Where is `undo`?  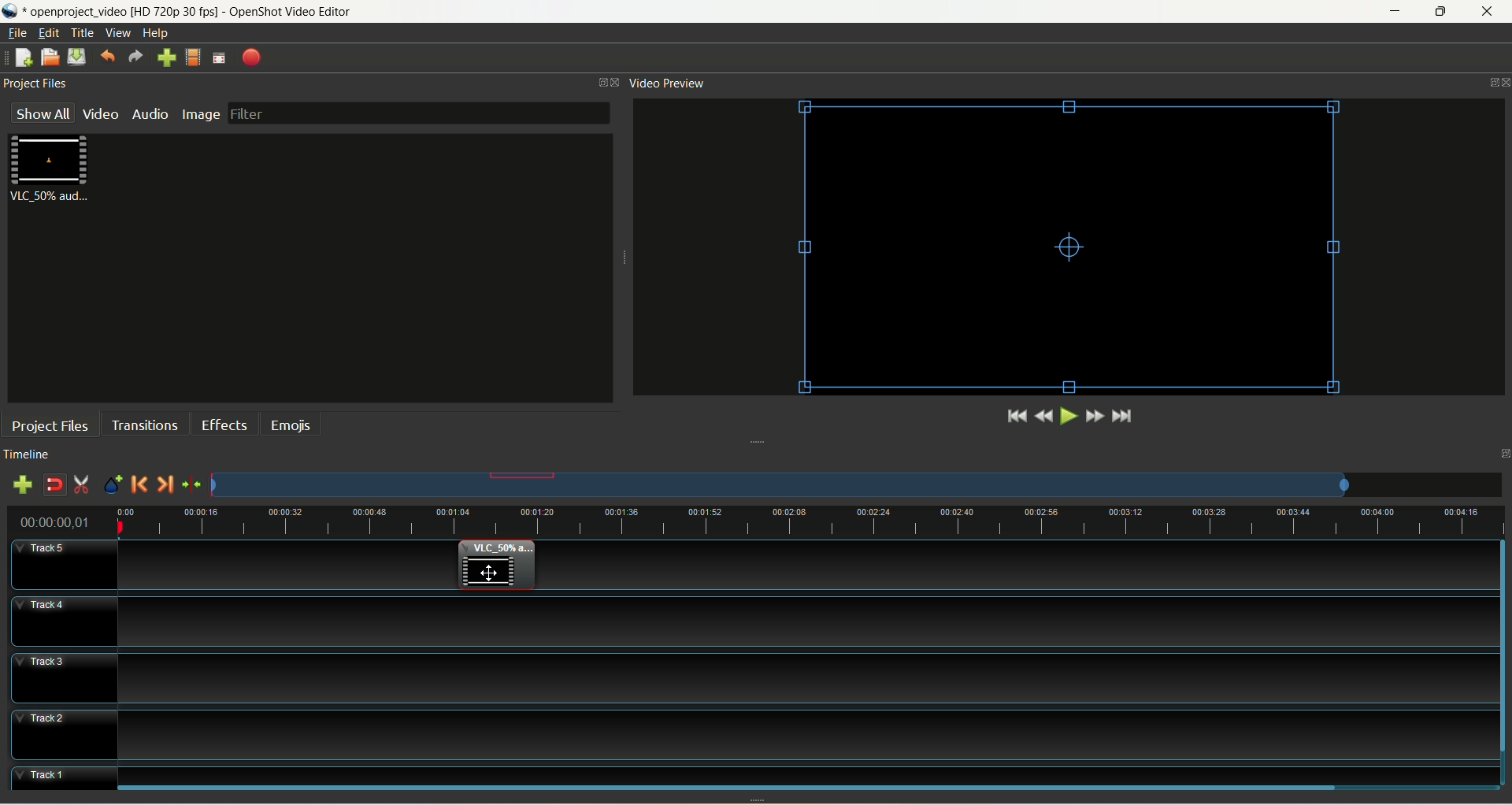
undo is located at coordinates (107, 58).